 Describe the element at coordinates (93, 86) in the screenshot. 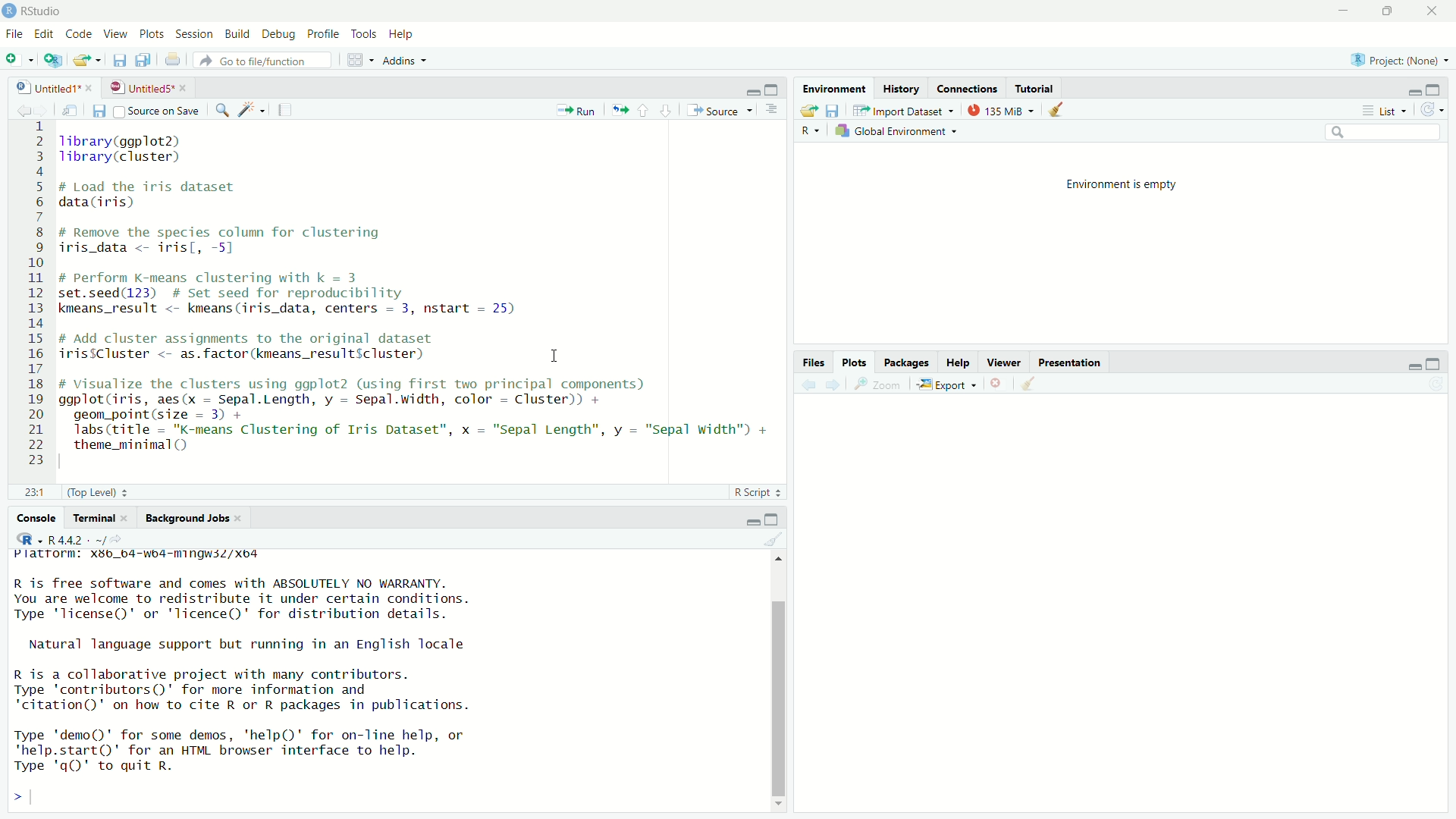

I see `close` at that location.